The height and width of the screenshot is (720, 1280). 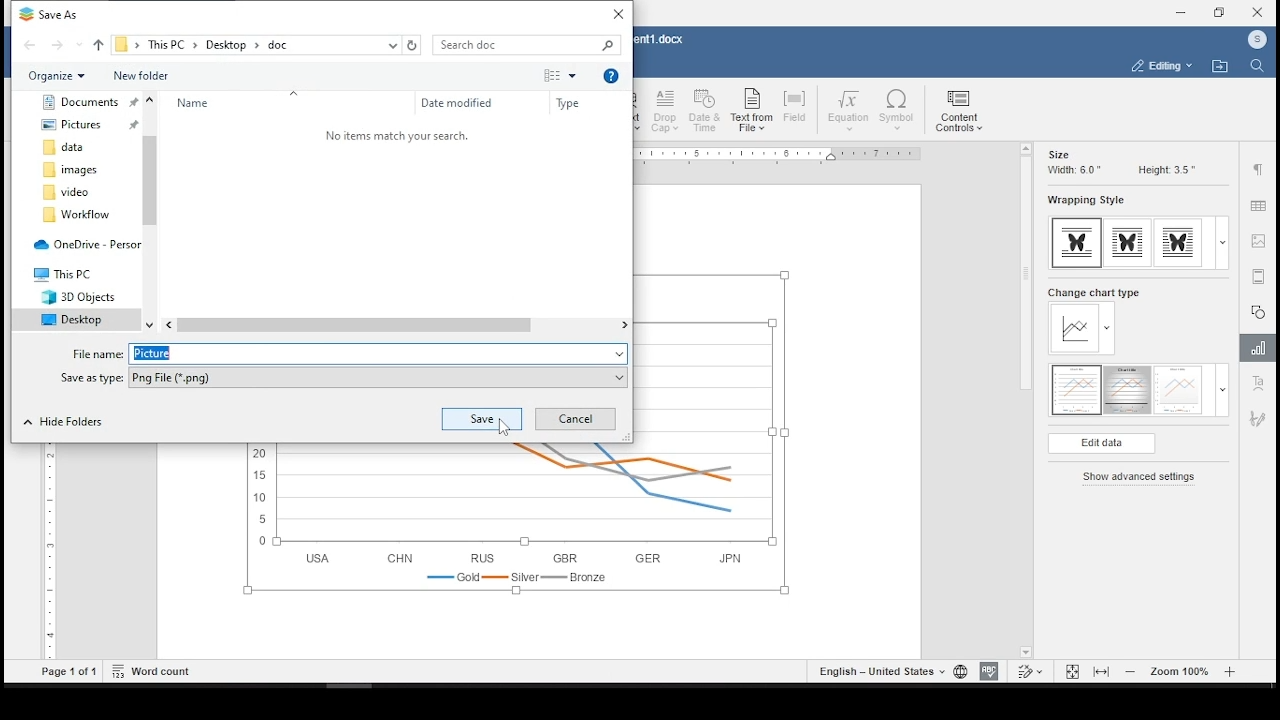 I want to click on 3D Objects, so click(x=77, y=298).